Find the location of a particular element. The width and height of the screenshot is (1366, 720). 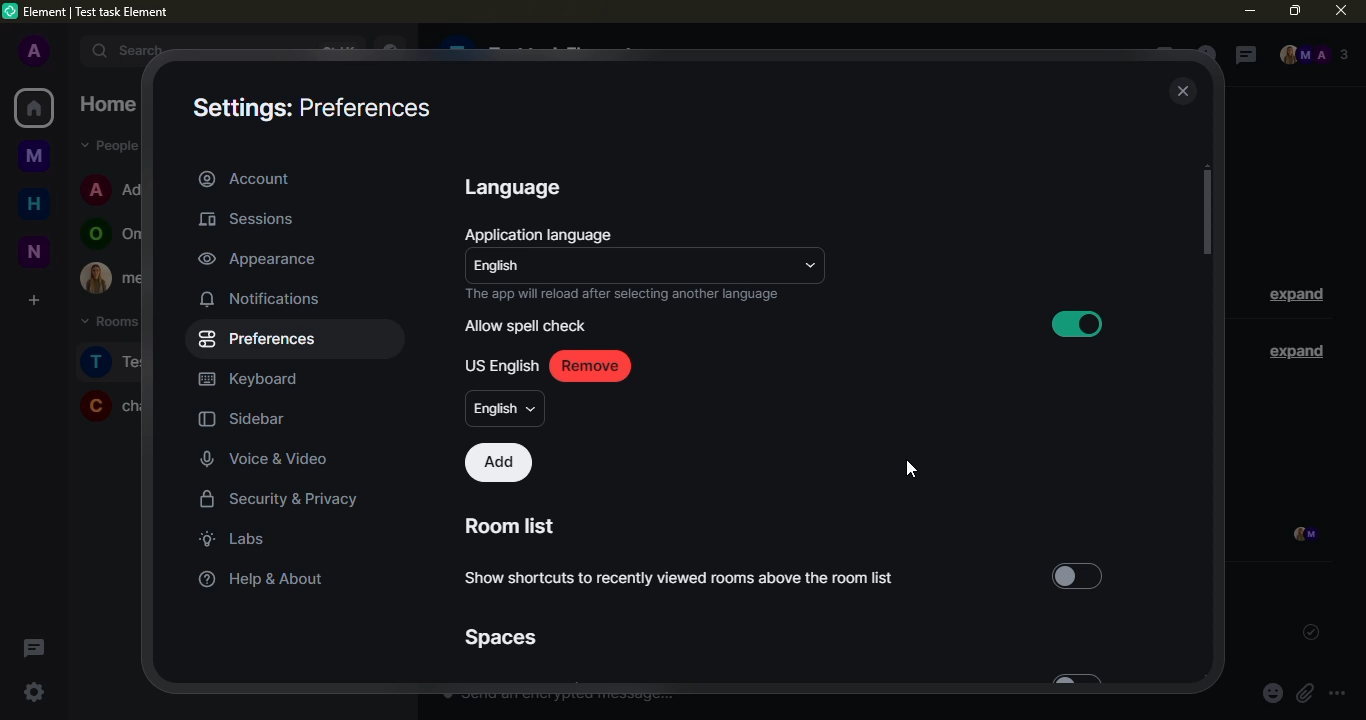

emoji is located at coordinates (1272, 694).